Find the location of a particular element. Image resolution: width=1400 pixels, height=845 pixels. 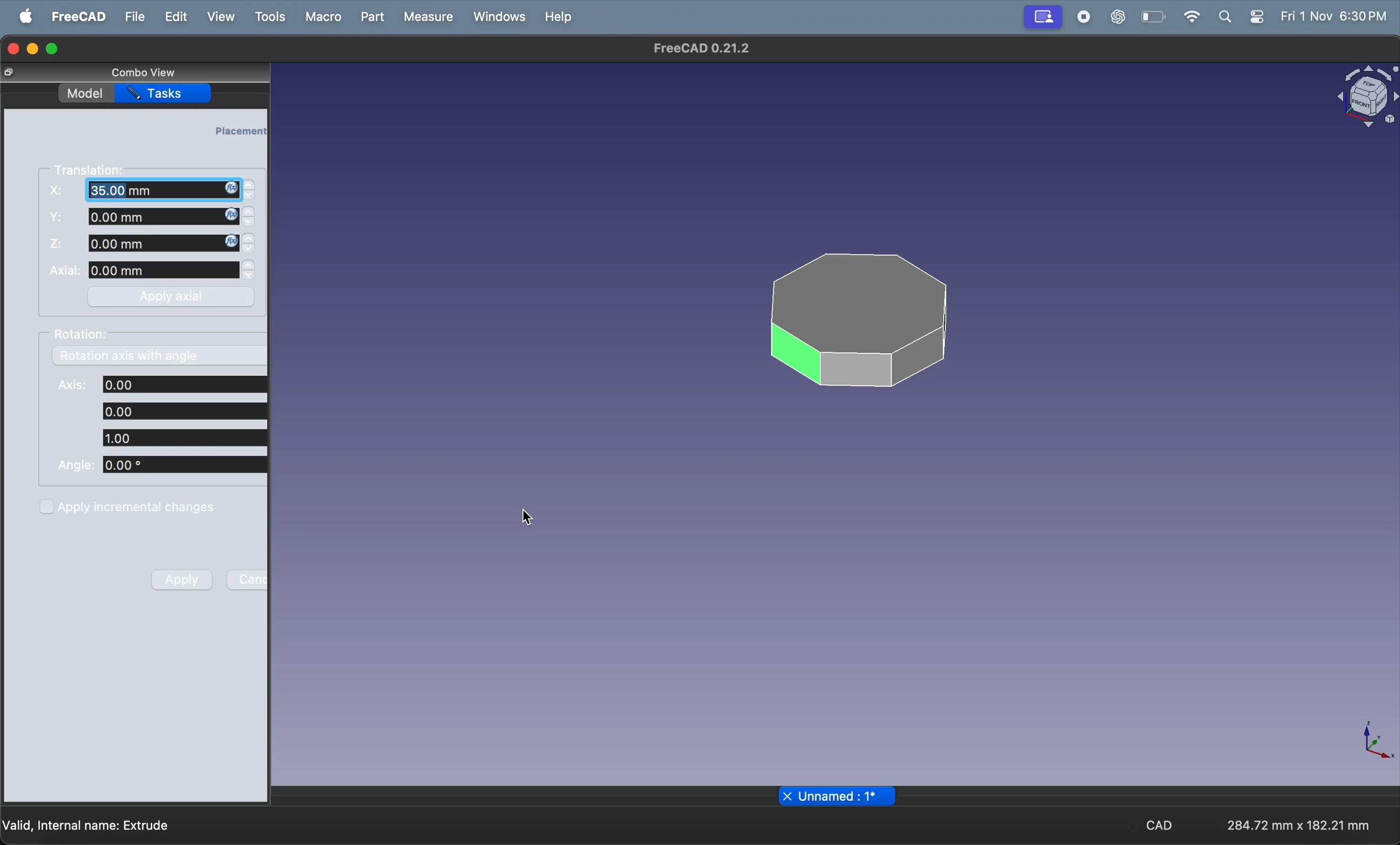

part is located at coordinates (372, 16).